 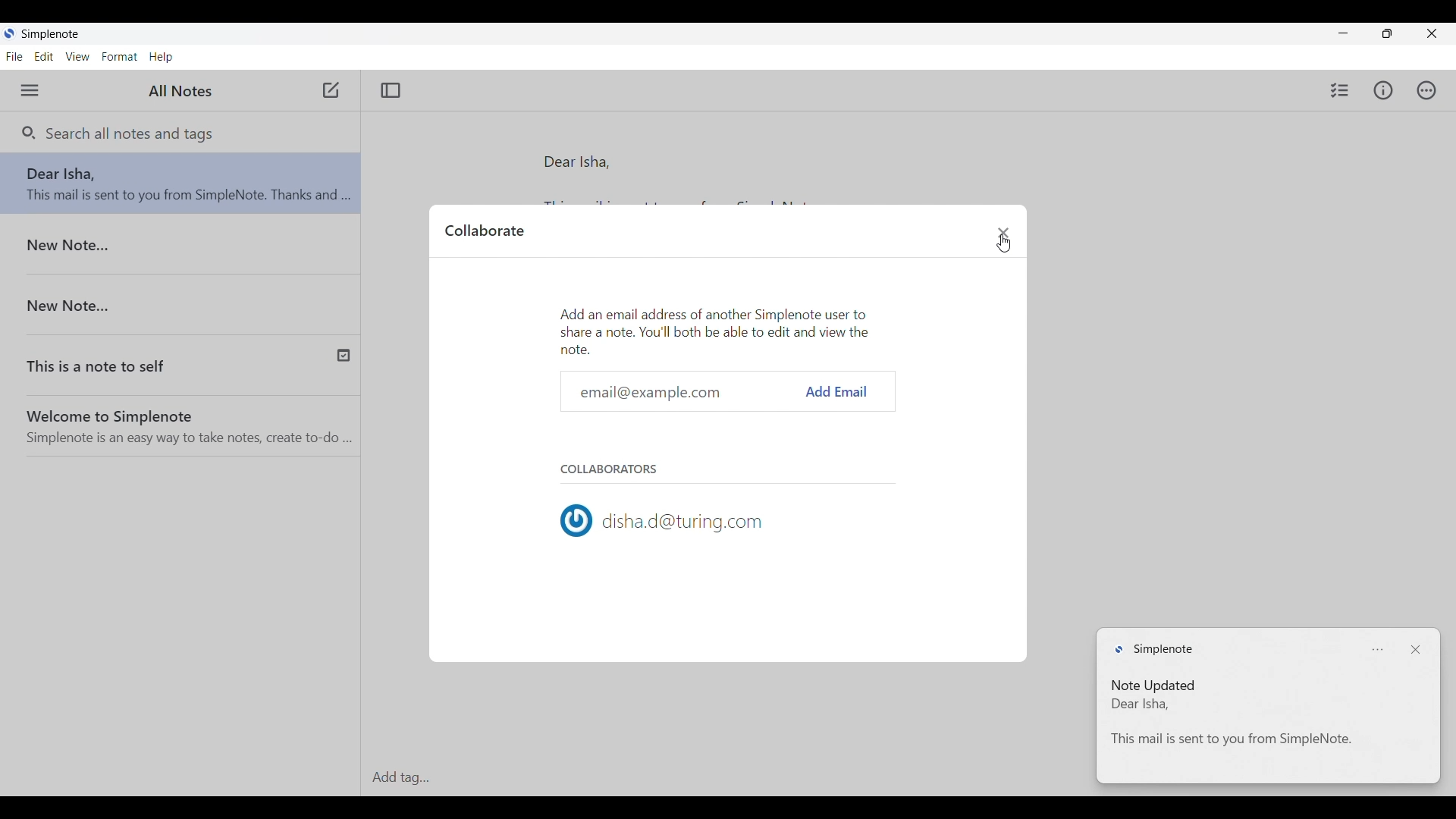 What do you see at coordinates (29, 90) in the screenshot?
I see `Menu` at bounding box center [29, 90].